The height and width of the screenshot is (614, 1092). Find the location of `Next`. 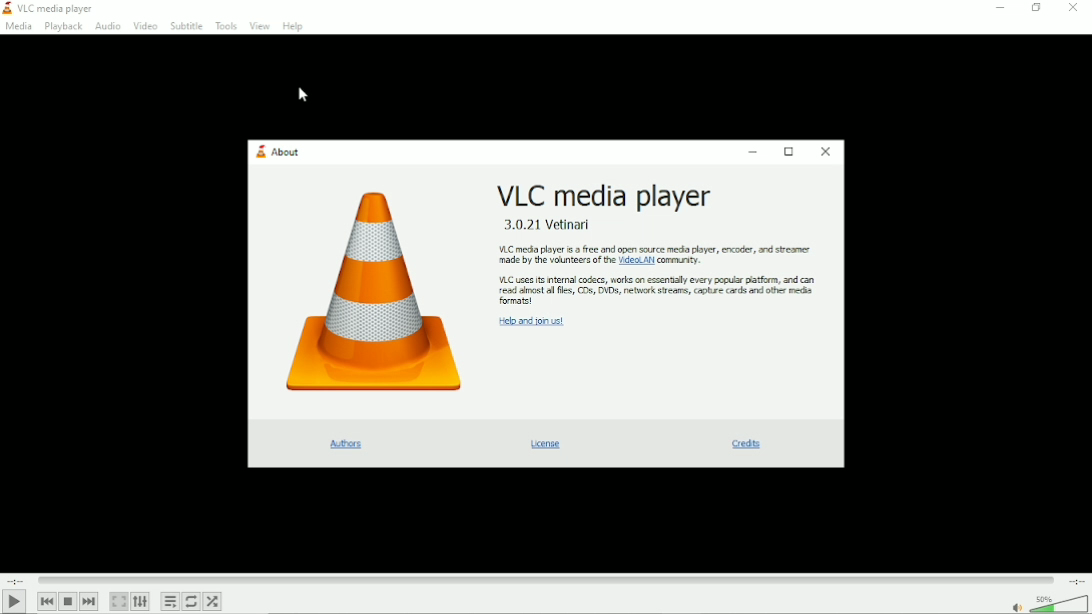

Next is located at coordinates (89, 601).